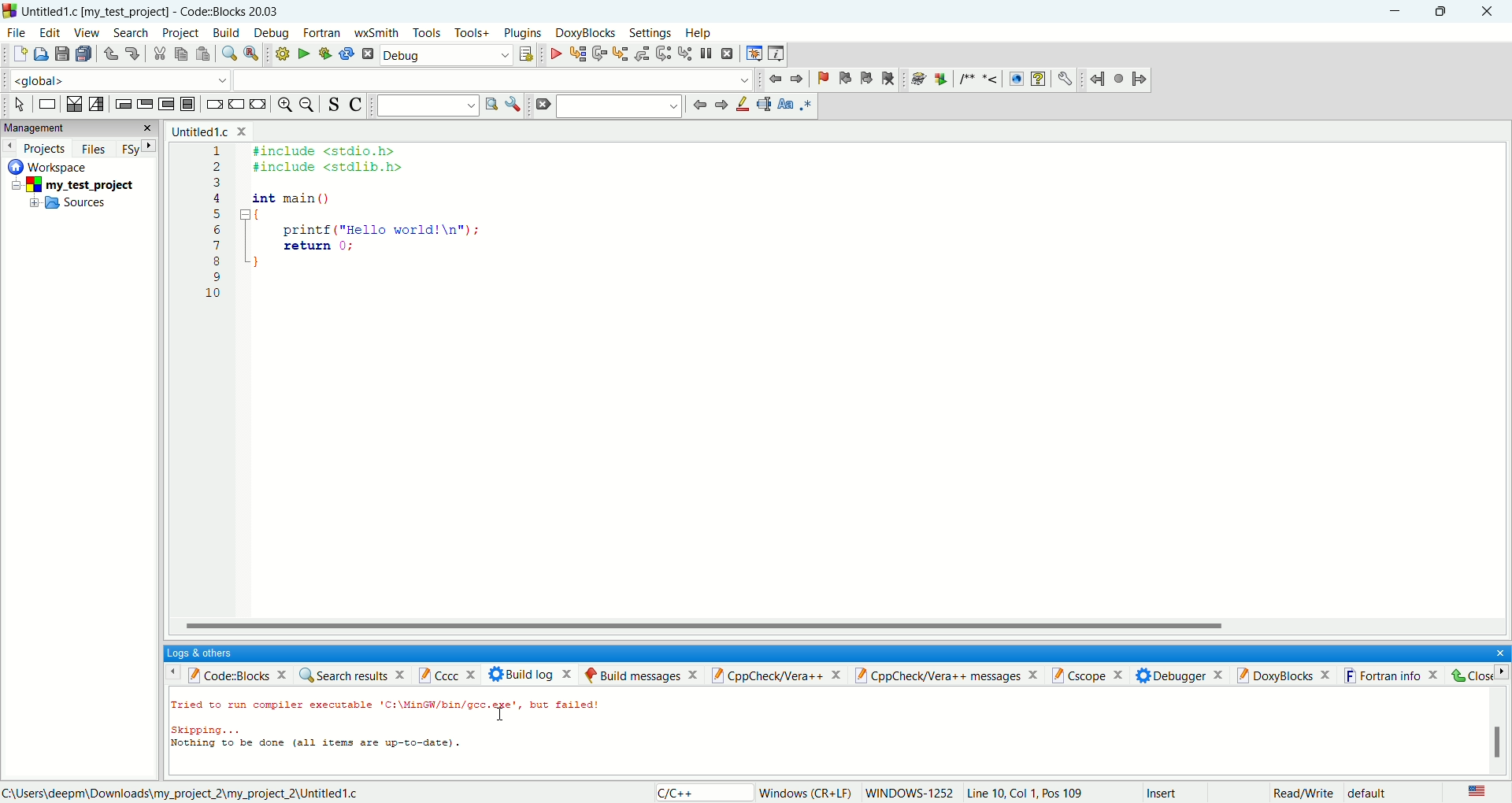 This screenshot has width=1512, height=803. What do you see at coordinates (773, 81) in the screenshot?
I see `jump next` at bounding box center [773, 81].